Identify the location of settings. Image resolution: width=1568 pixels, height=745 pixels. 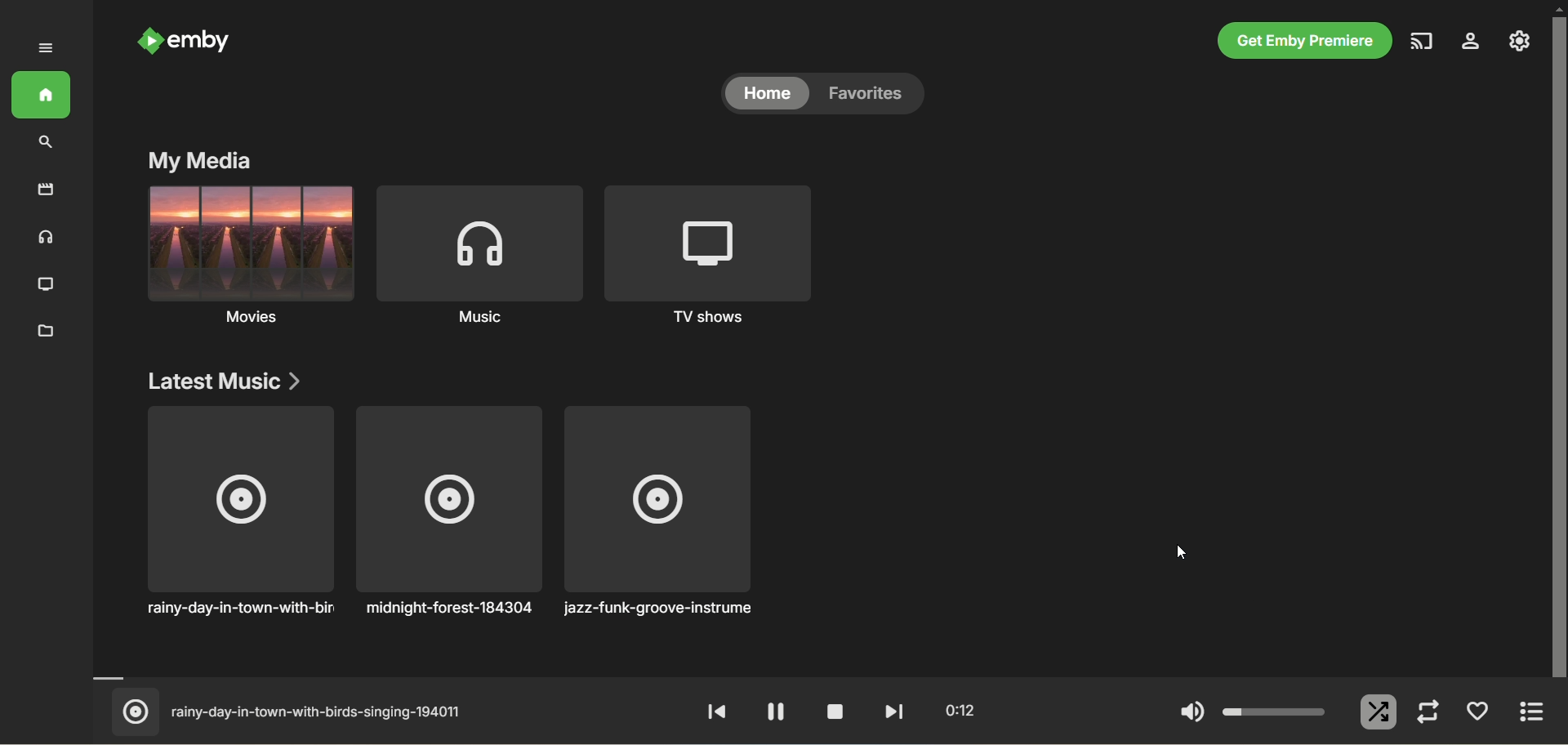
(1472, 43).